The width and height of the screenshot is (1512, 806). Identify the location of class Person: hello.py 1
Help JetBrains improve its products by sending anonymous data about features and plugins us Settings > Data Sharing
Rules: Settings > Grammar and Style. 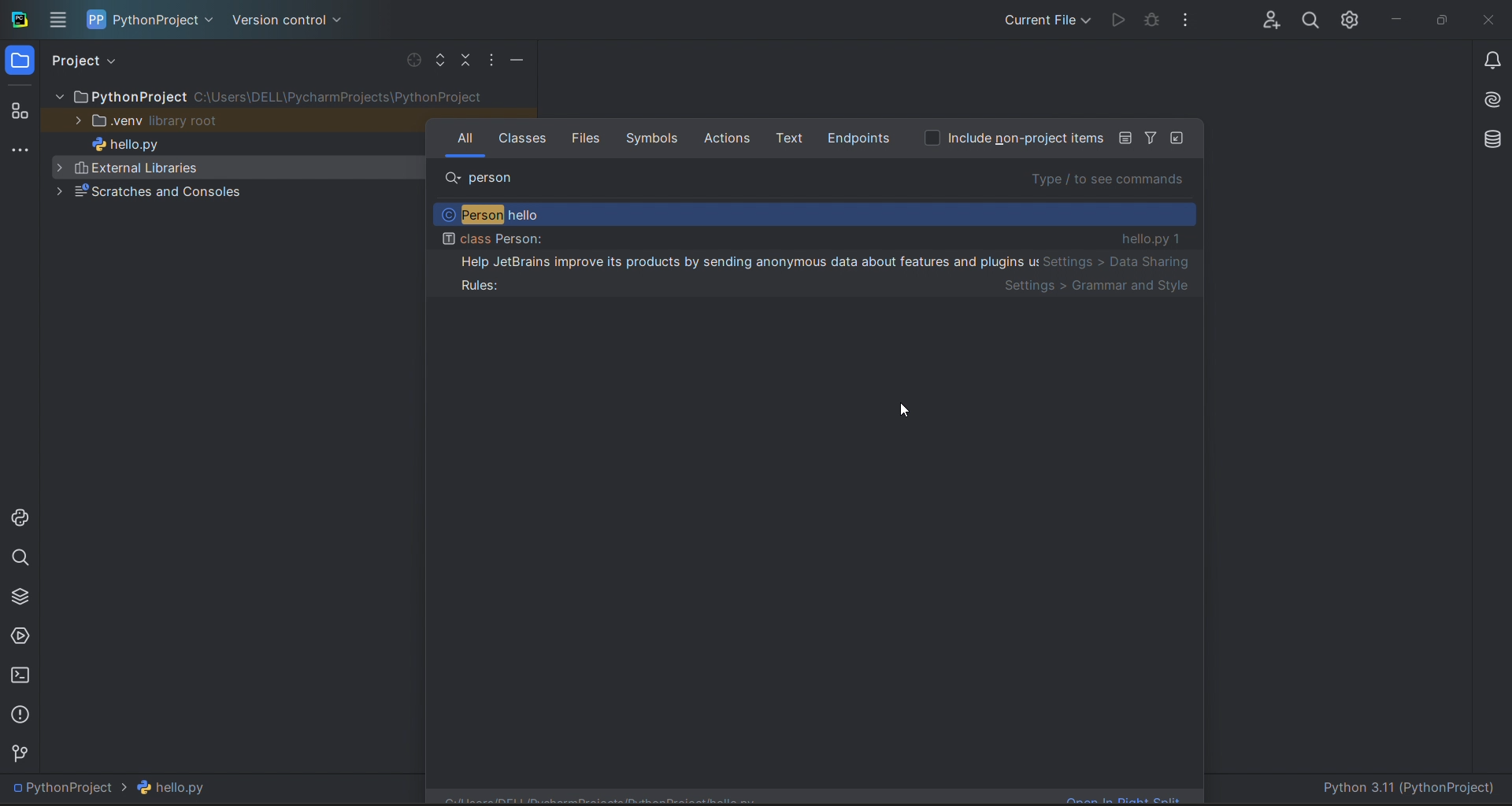
(813, 266).